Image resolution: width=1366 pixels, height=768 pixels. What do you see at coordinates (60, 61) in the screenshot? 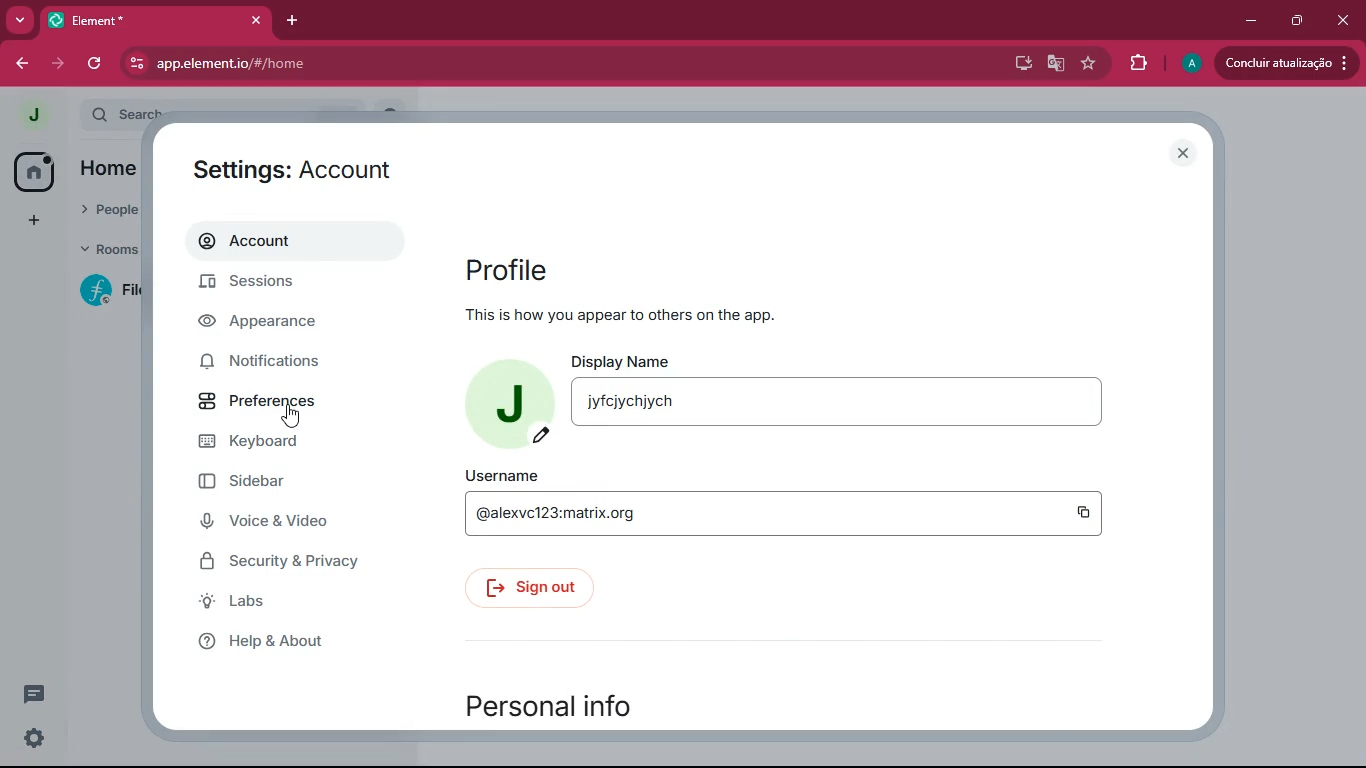
I see `forward` at bounding box center [60, 61].